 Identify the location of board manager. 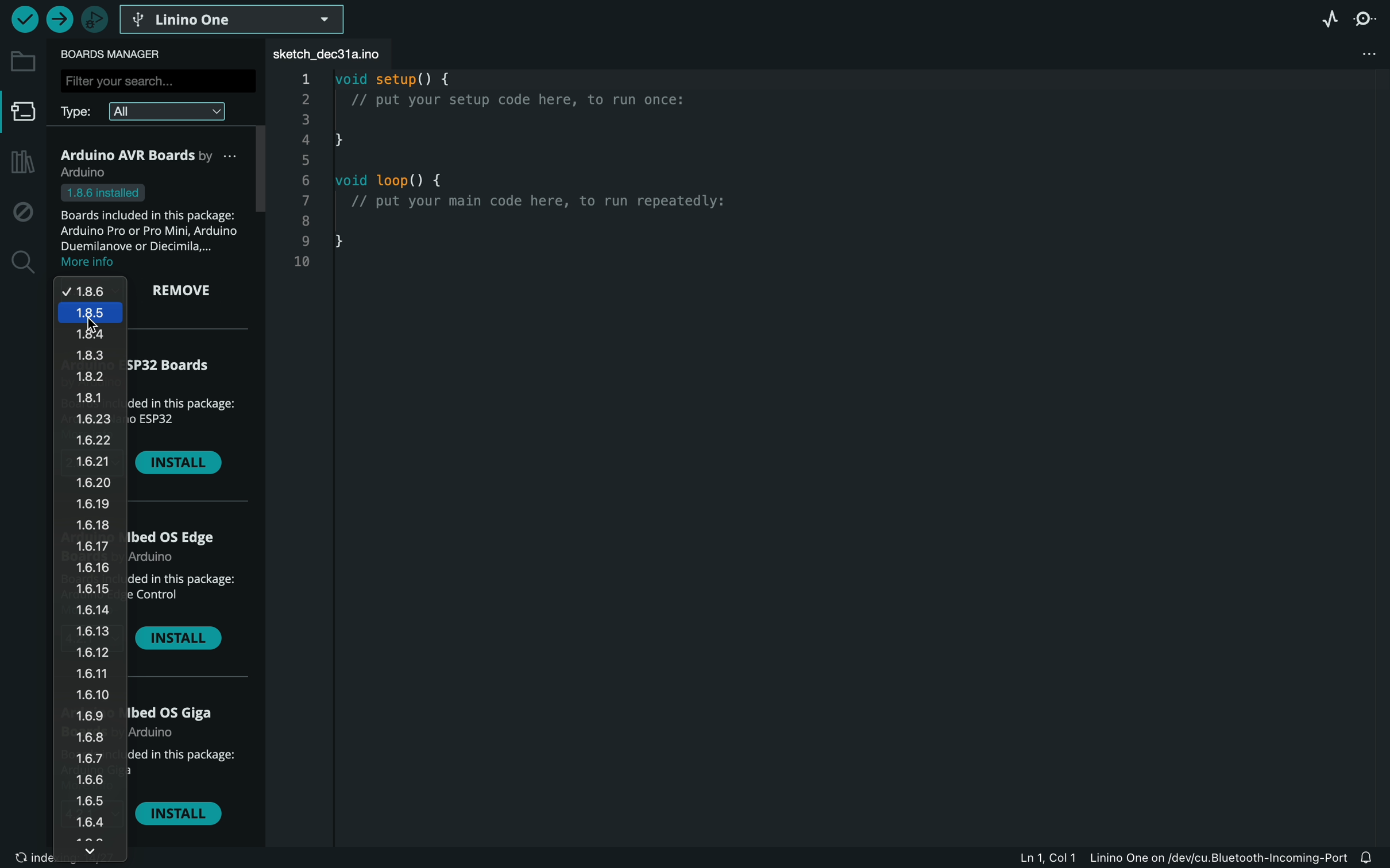
(24, 115).